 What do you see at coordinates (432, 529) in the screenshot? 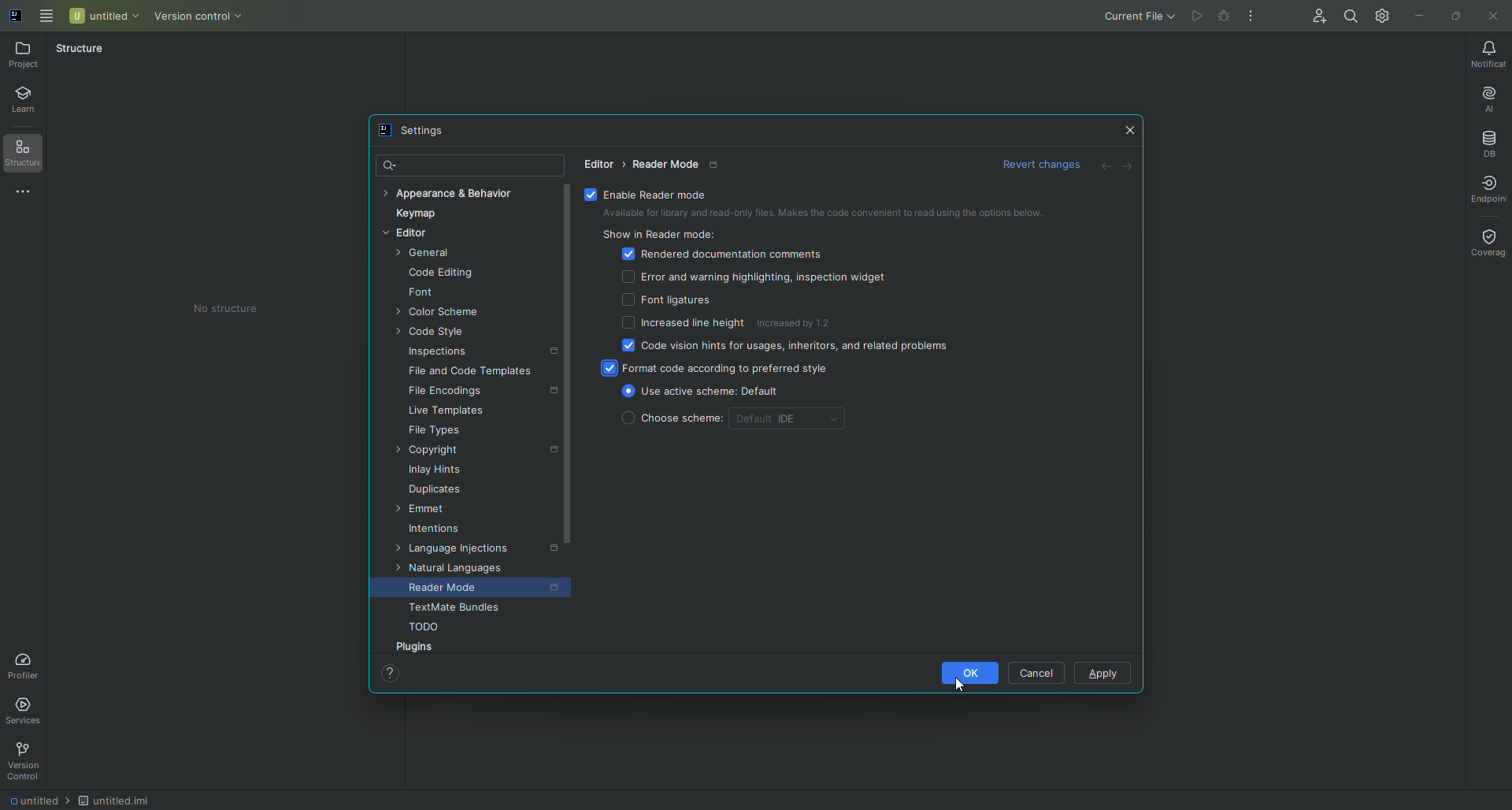
I see `Intentions` at bounding box center [432, 529].